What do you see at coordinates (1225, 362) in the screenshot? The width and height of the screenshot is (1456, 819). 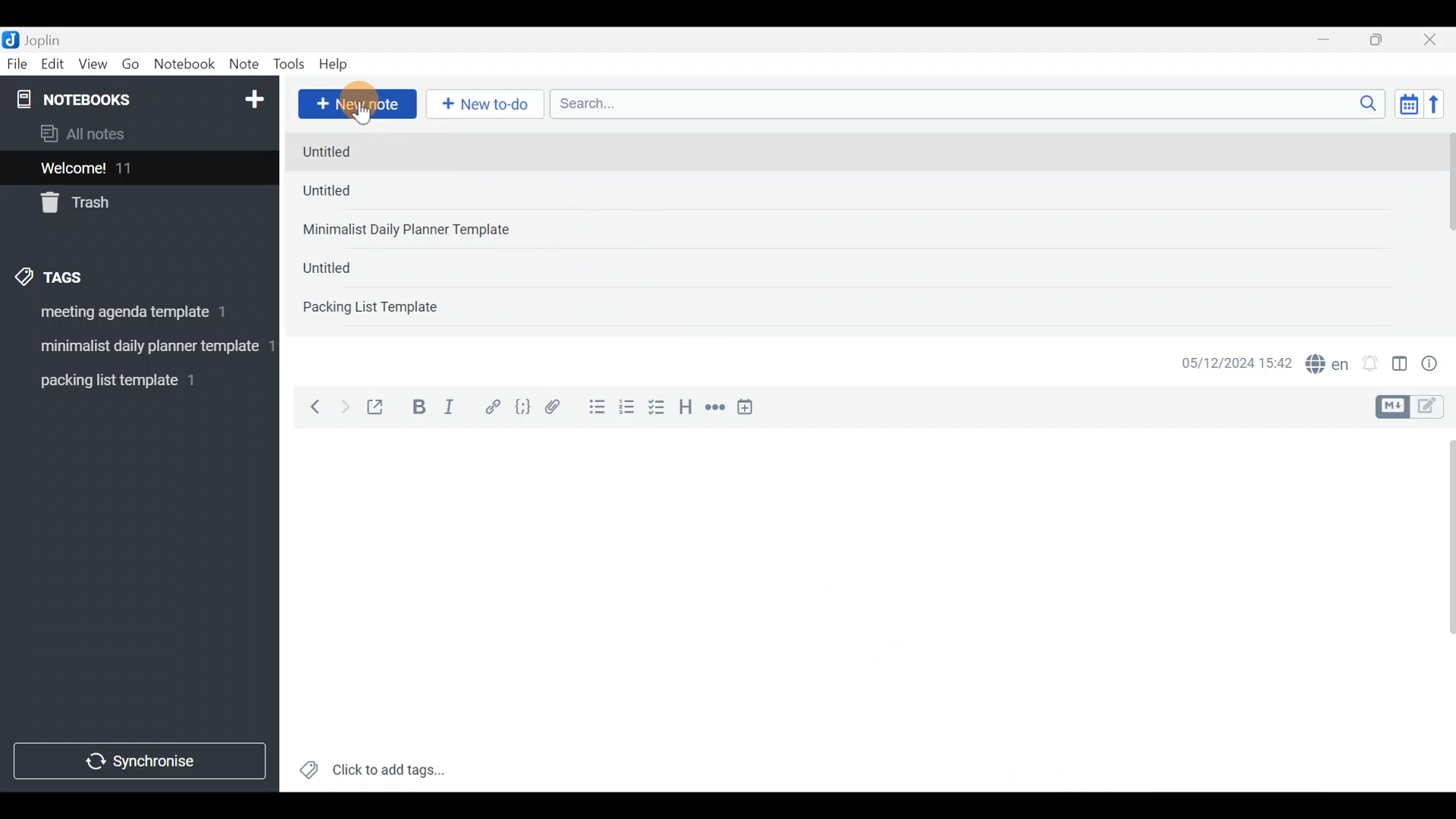 I see `Date & time` at bounding box center [1225, 362].